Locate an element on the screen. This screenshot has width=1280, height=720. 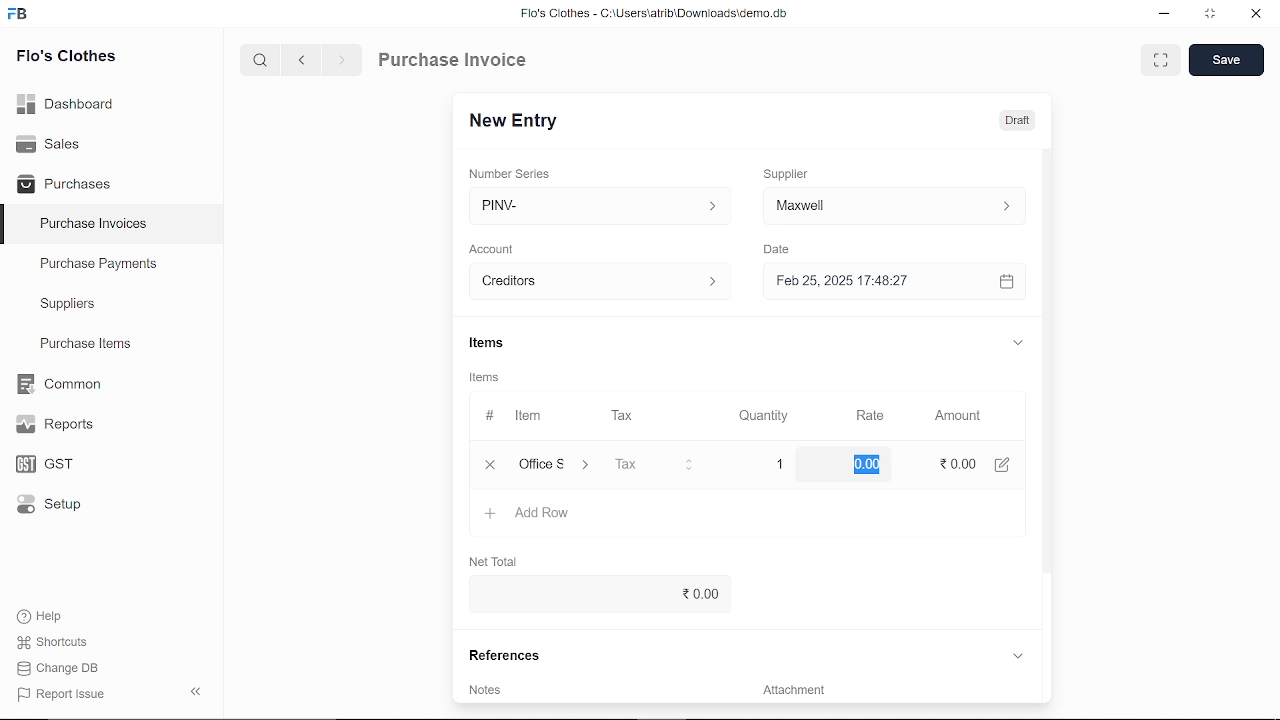
Item is located at coordinates (514, 416).